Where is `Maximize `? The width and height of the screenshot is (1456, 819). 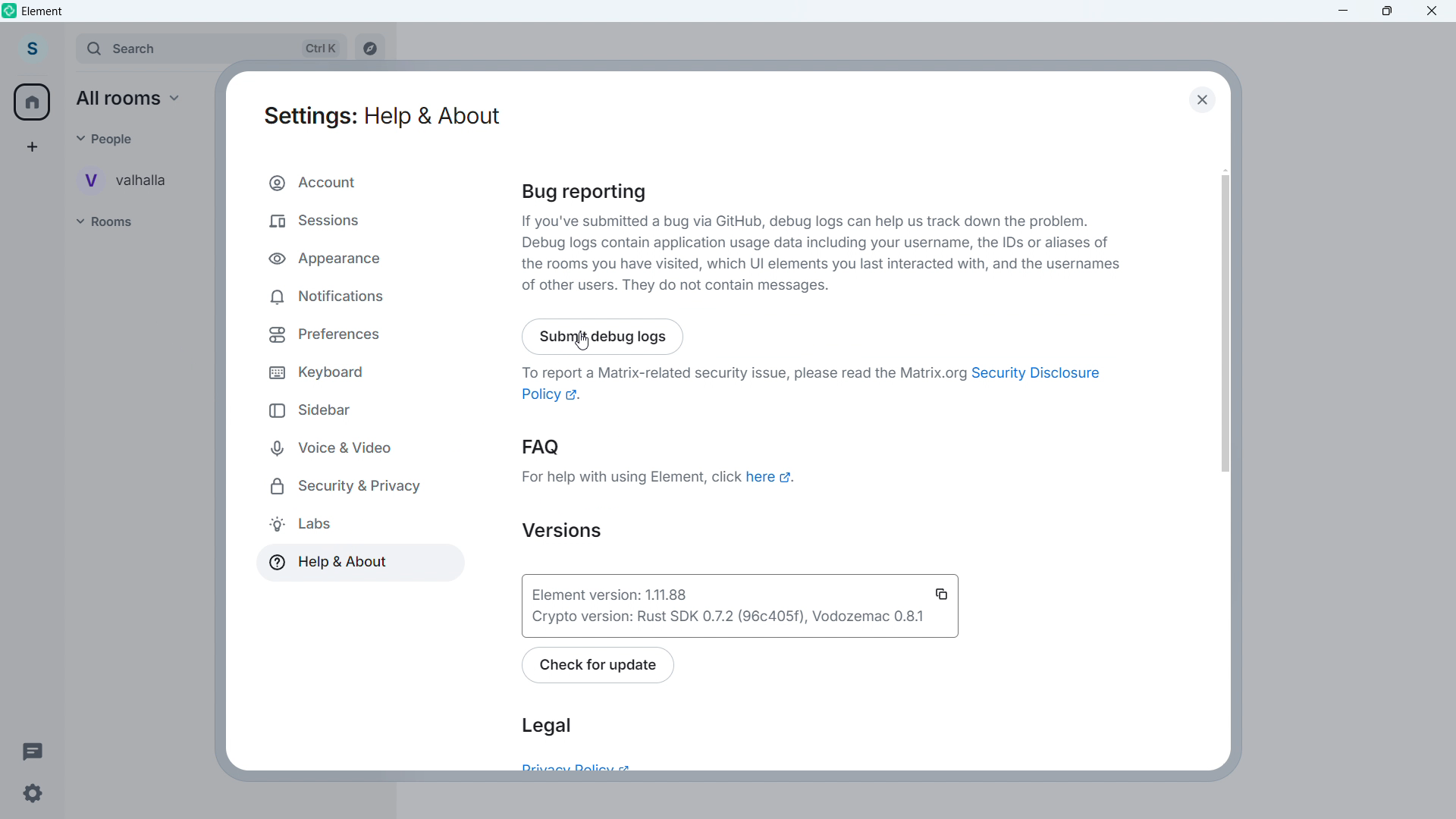 Maximize  is located at coordinates (1388, 11).